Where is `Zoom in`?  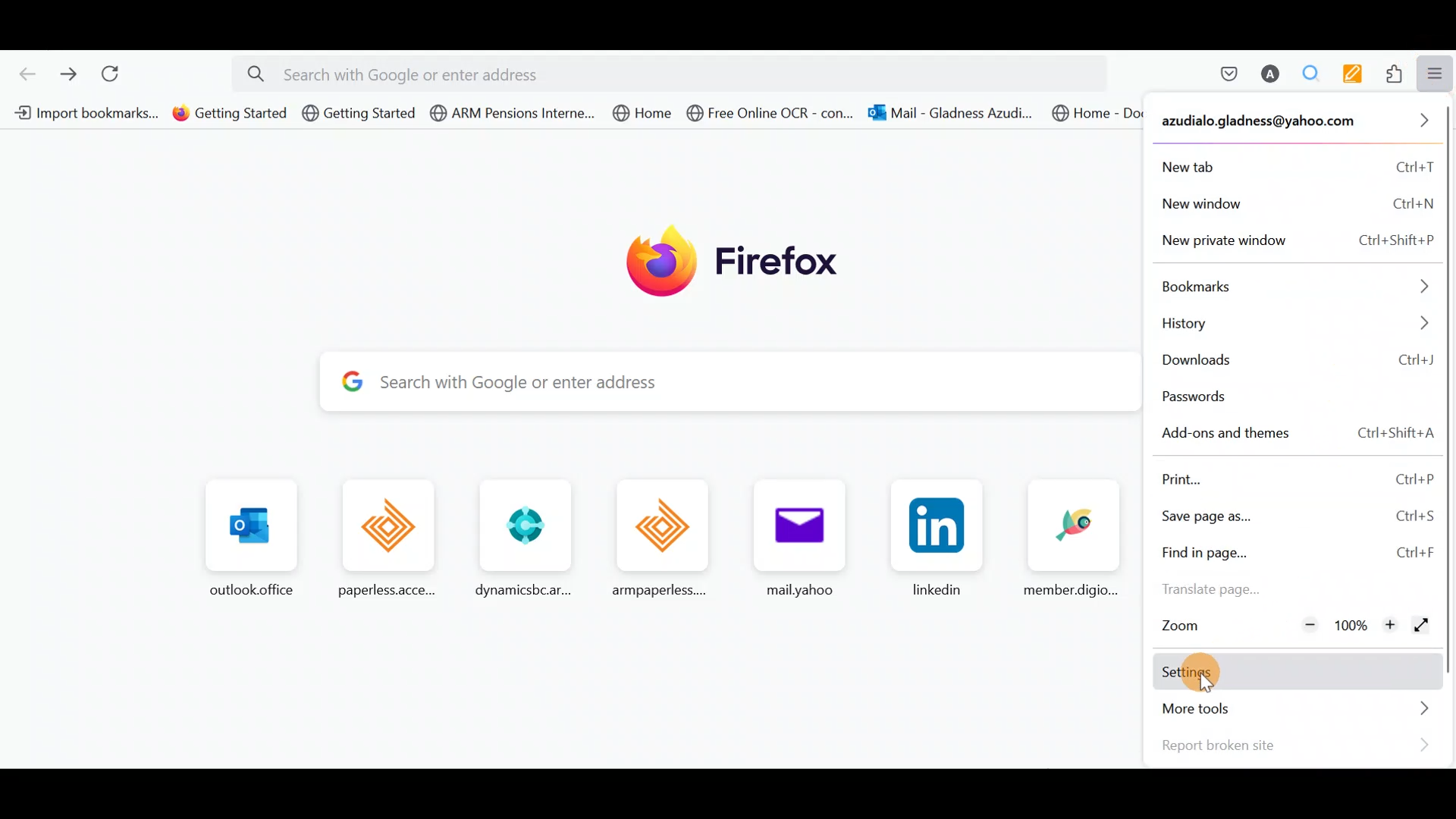
Zoom in is located at coordinates (1390, 626).